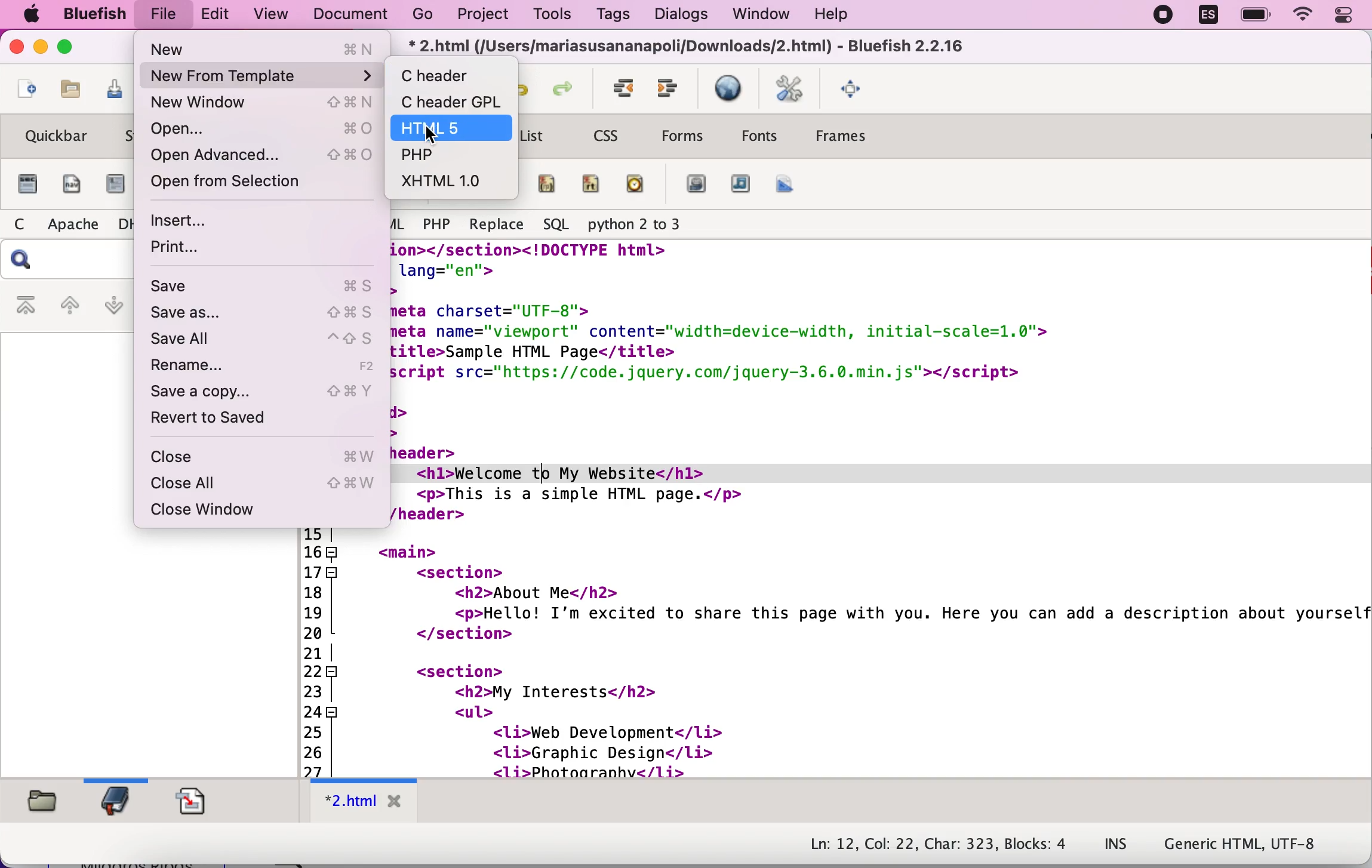  What do you see at coordinates (685, 136) in the screenshot?
I see `forms` at bounding box center [685, 136].